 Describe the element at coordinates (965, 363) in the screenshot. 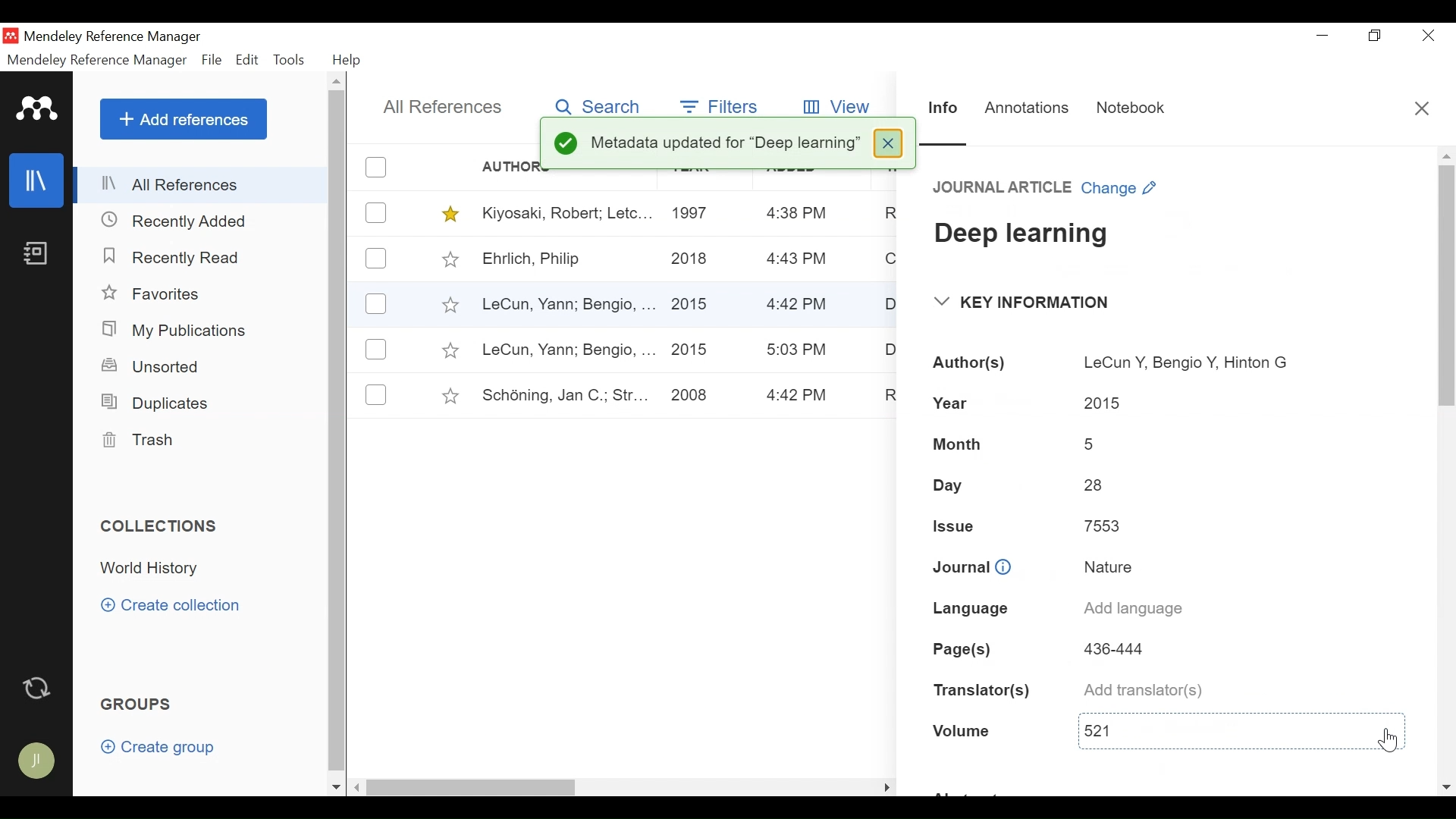

I see `Author(s)` at that location.